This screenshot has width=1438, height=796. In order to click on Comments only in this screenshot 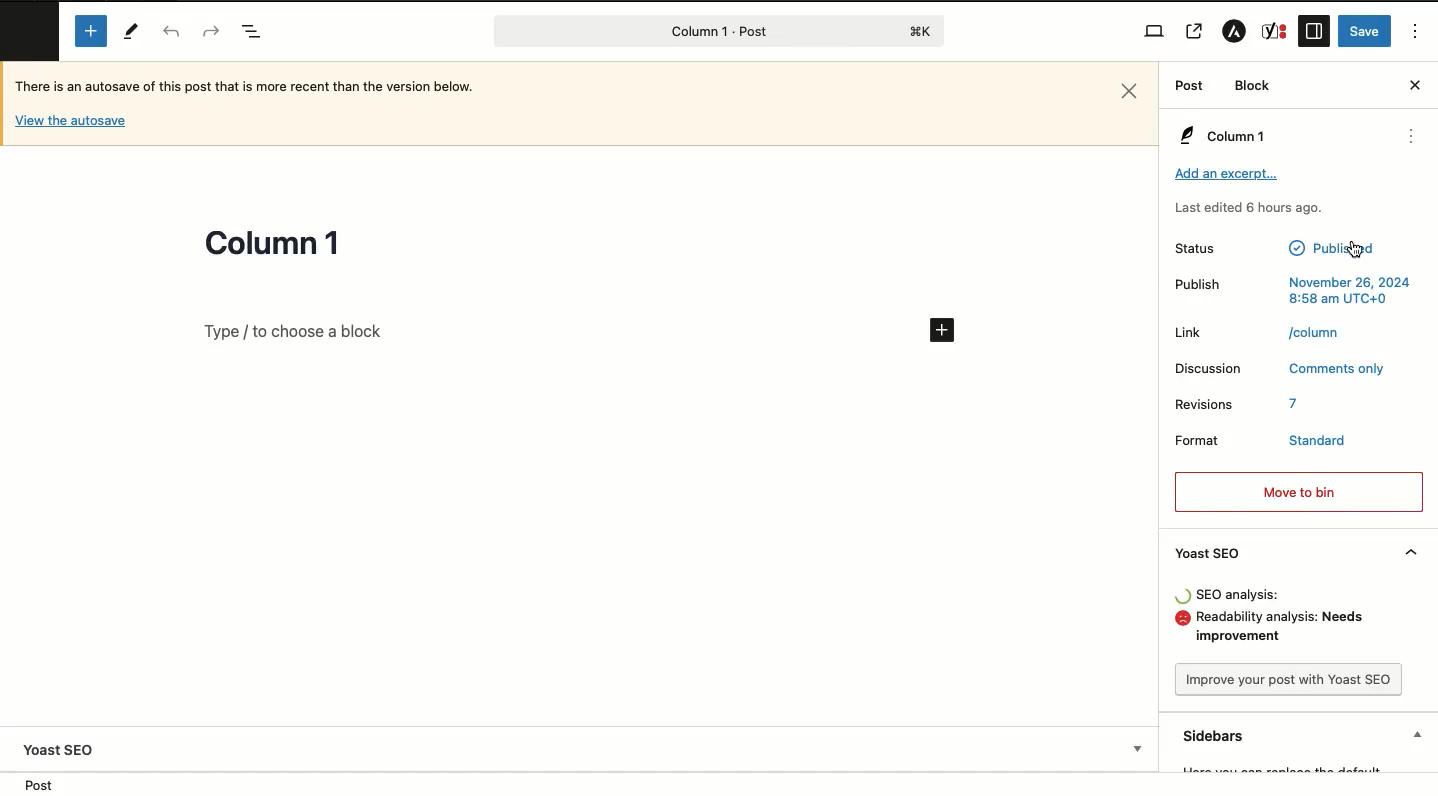, I will do `click(1339, 370)`.